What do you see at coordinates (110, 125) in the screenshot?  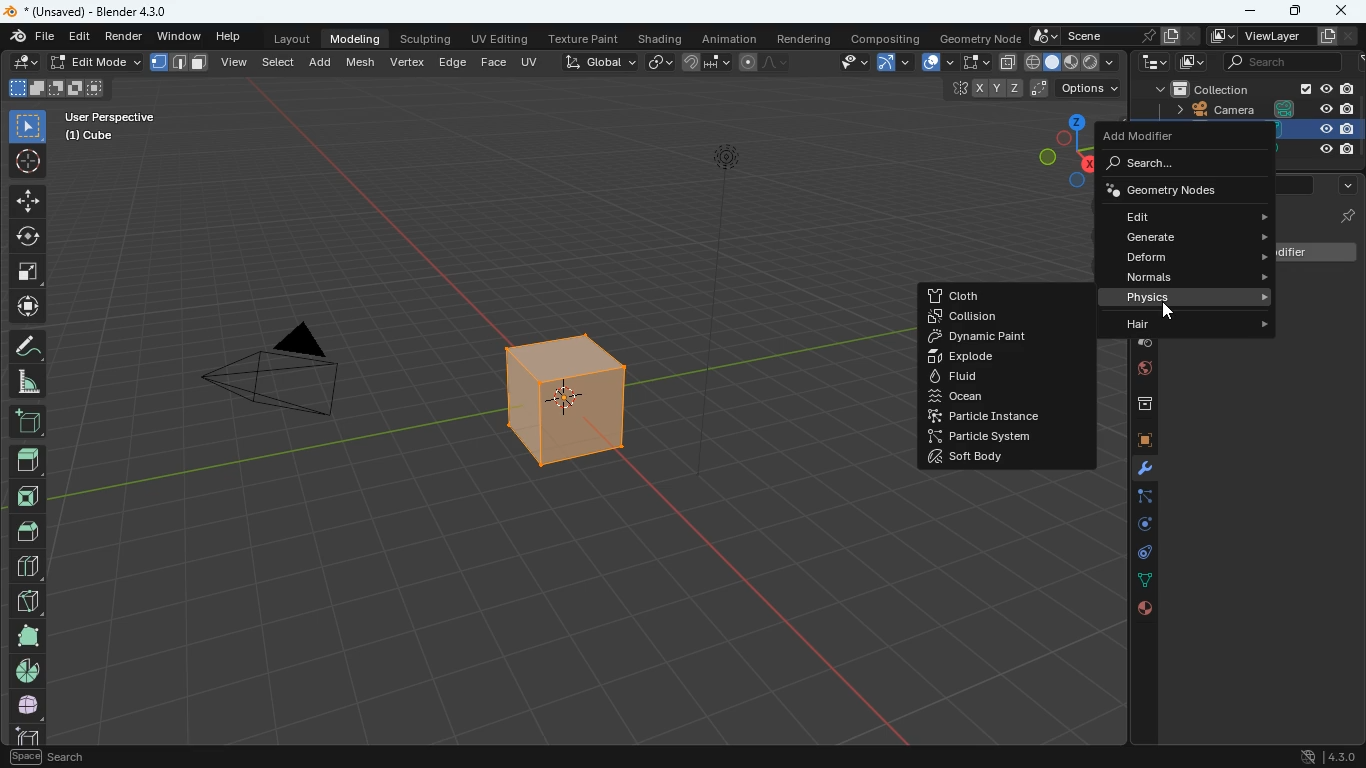 I see `User Perspective
fr a.` at bounding box center [110, 125].